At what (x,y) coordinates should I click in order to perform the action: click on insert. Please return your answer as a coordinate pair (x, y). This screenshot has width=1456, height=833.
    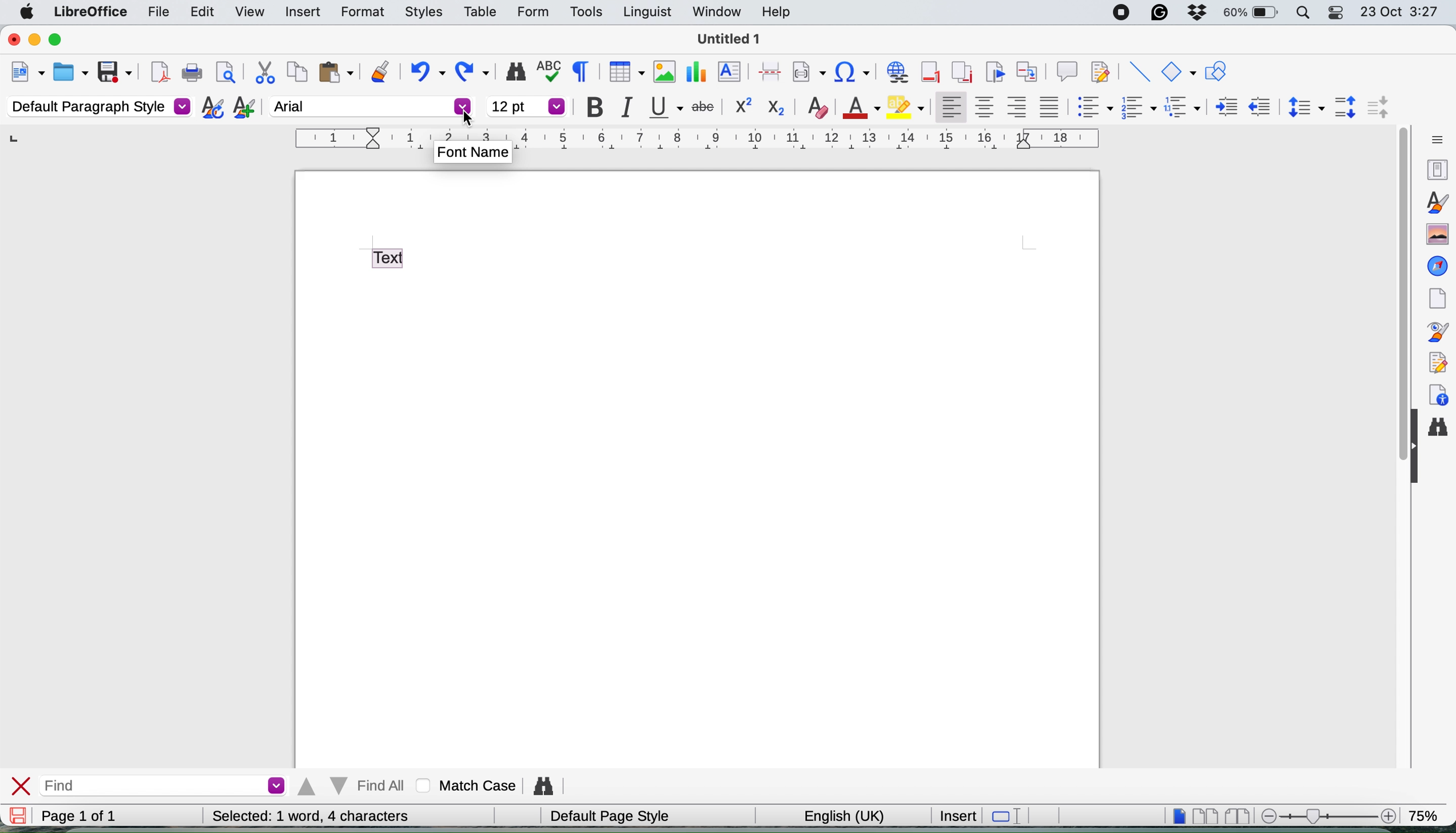
    Looking at the image, I should click on (299, 10).